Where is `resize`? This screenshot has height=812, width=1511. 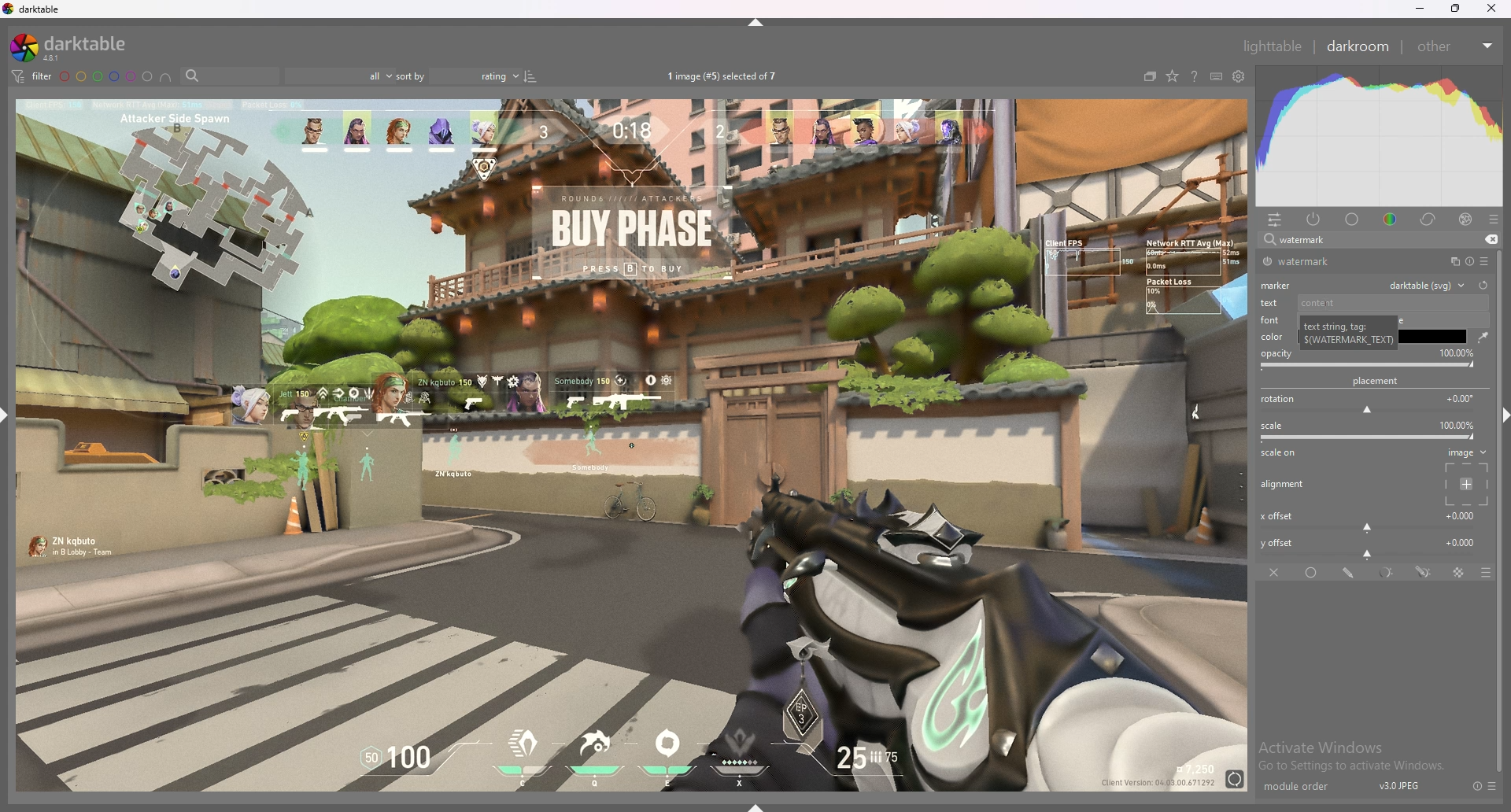 resize is located at coordinates (1456, 9).